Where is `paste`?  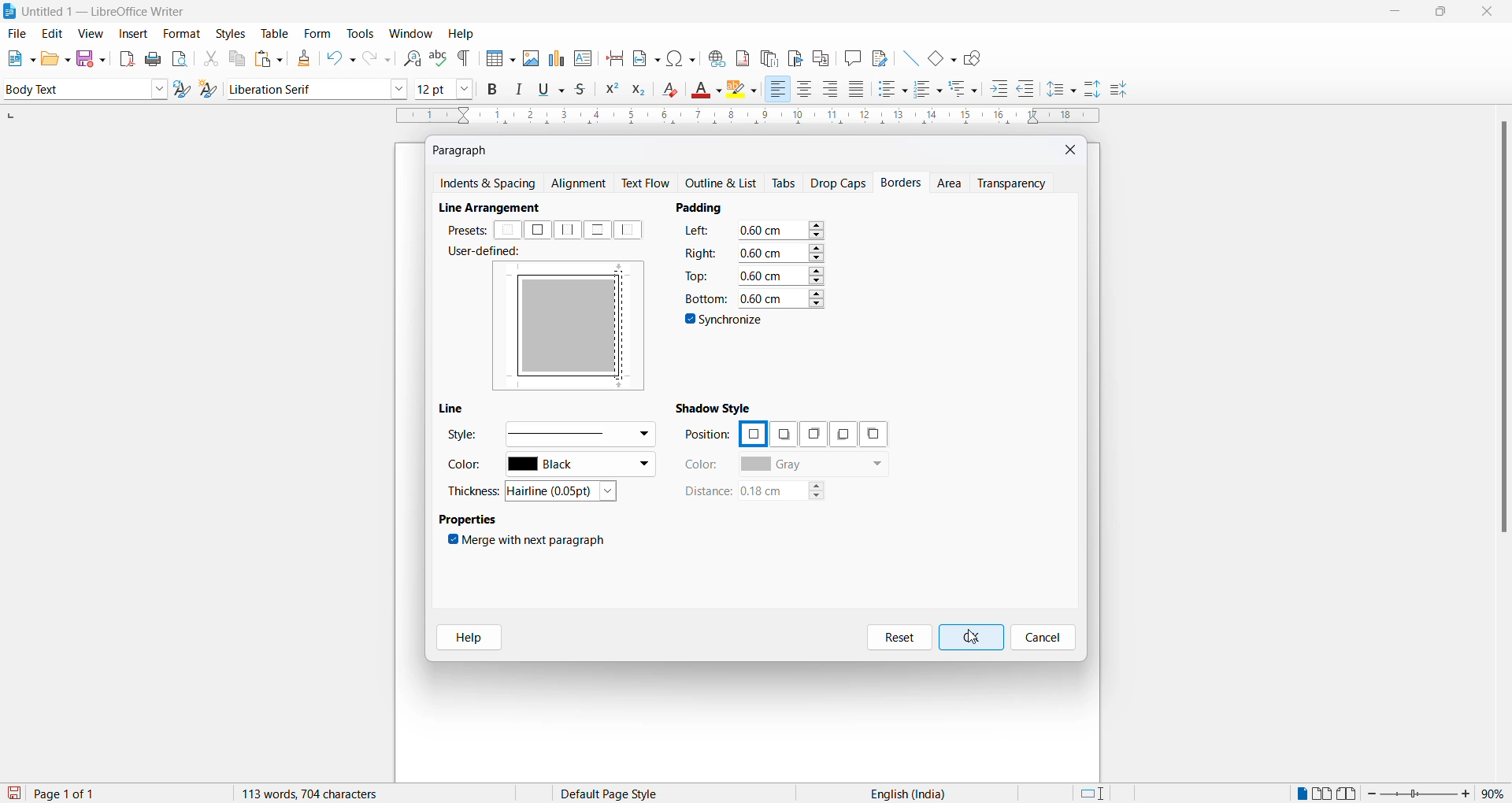 paste is located at coordinates (266, 60).